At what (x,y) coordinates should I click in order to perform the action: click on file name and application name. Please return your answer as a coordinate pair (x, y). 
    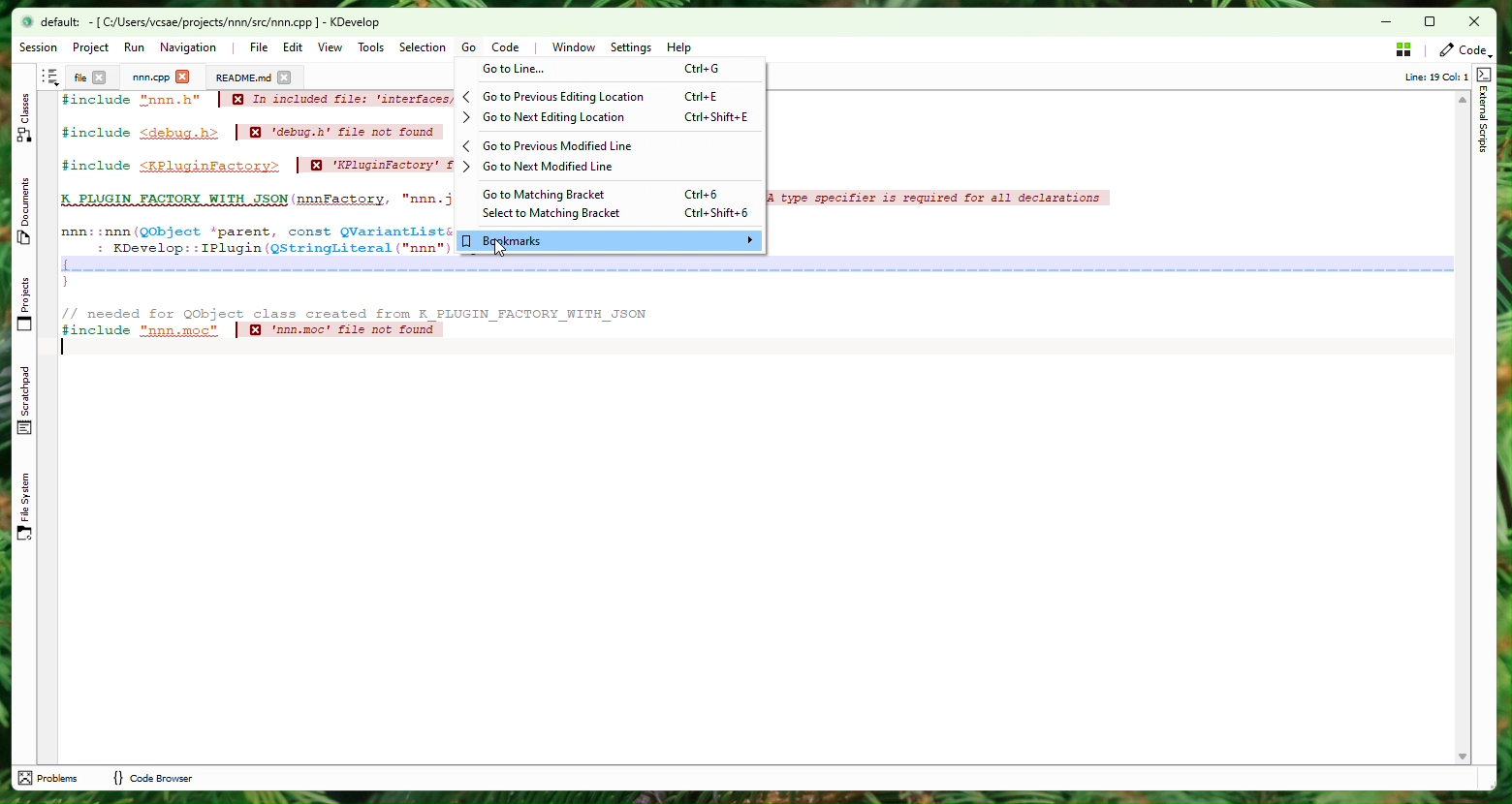
    Looking at the image, I should click on (210, 22).